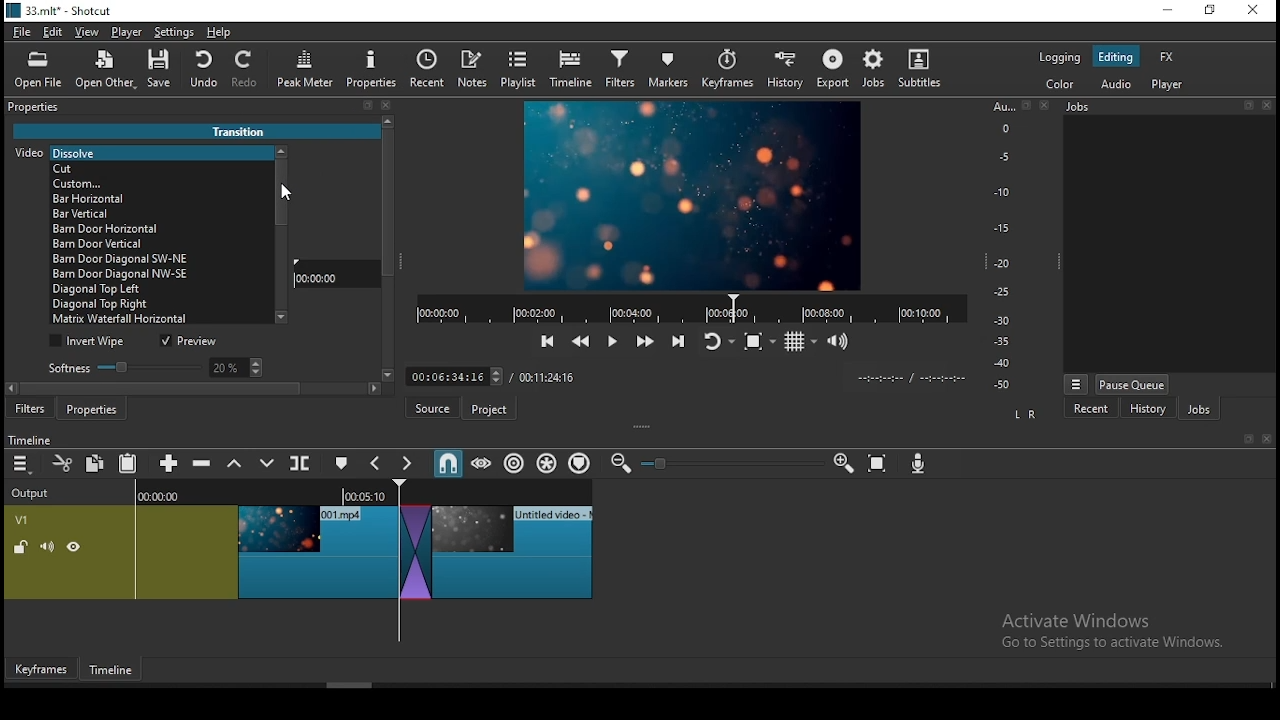 This screenshot has height=720, width=1280. I want to click on 00:00:00, so click(321, 277).